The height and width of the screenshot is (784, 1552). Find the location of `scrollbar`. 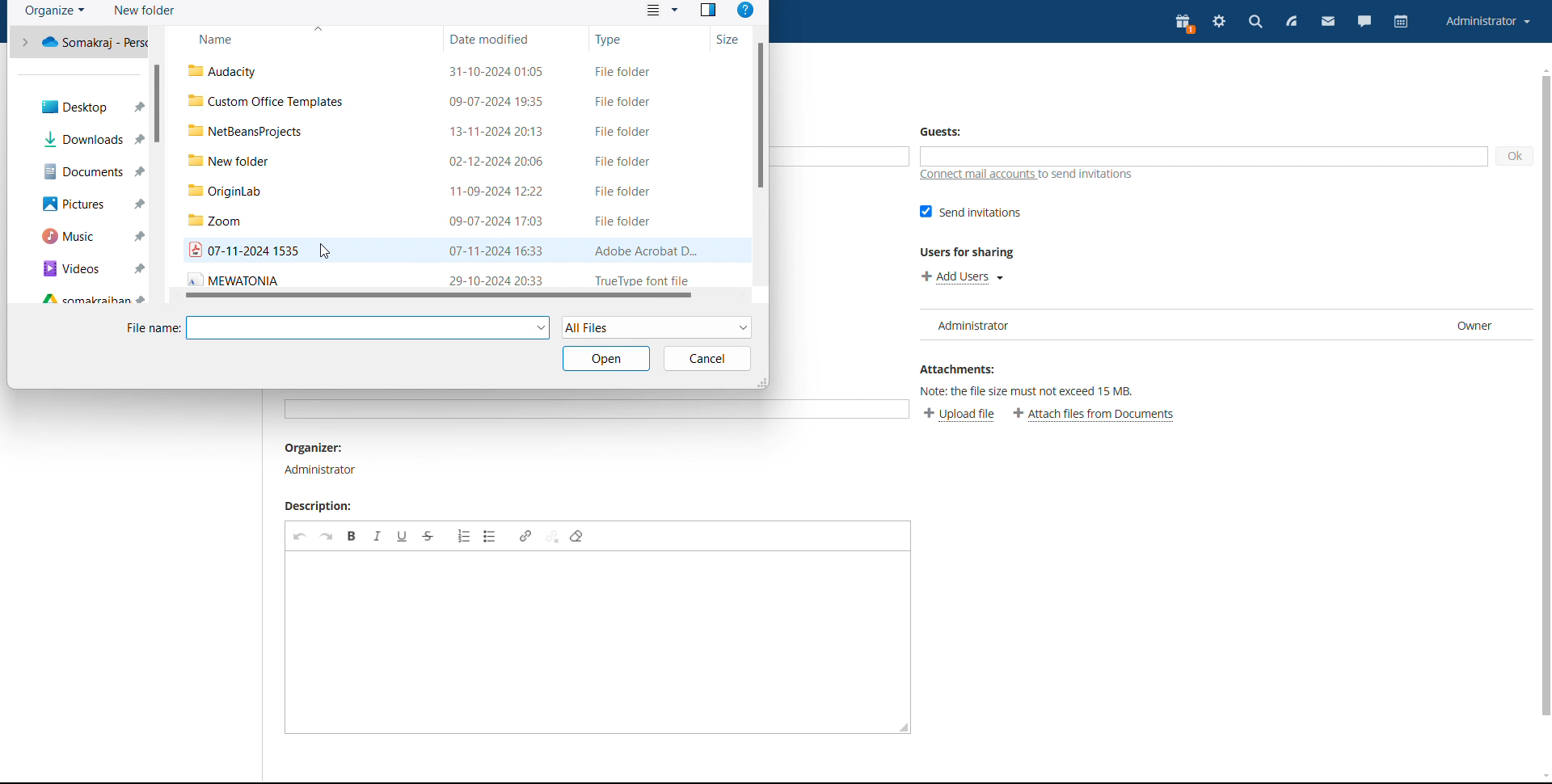

scrollbar is located at coordinates (761, 116).